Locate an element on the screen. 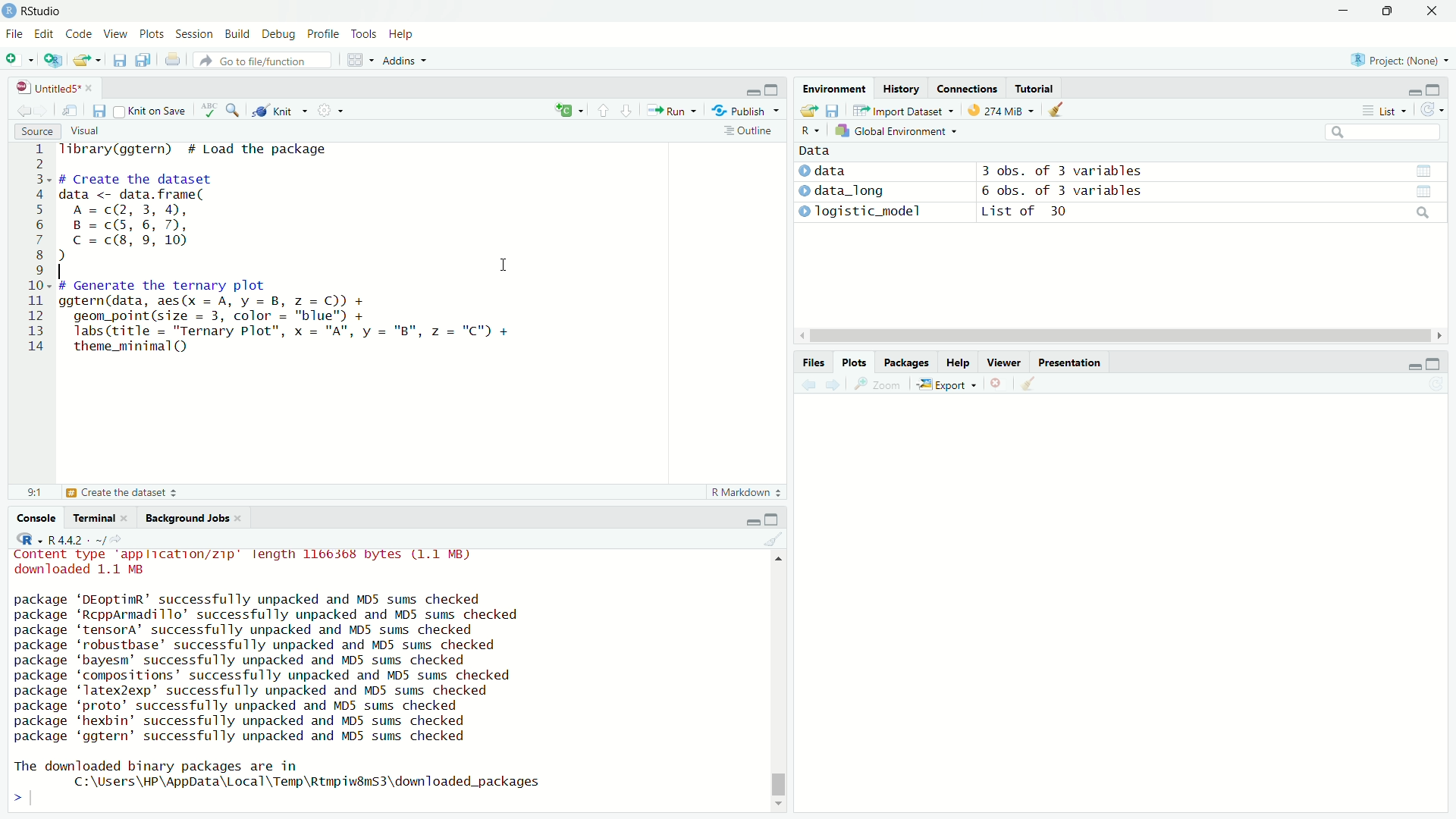  abc is located at coordinates (209, 114).